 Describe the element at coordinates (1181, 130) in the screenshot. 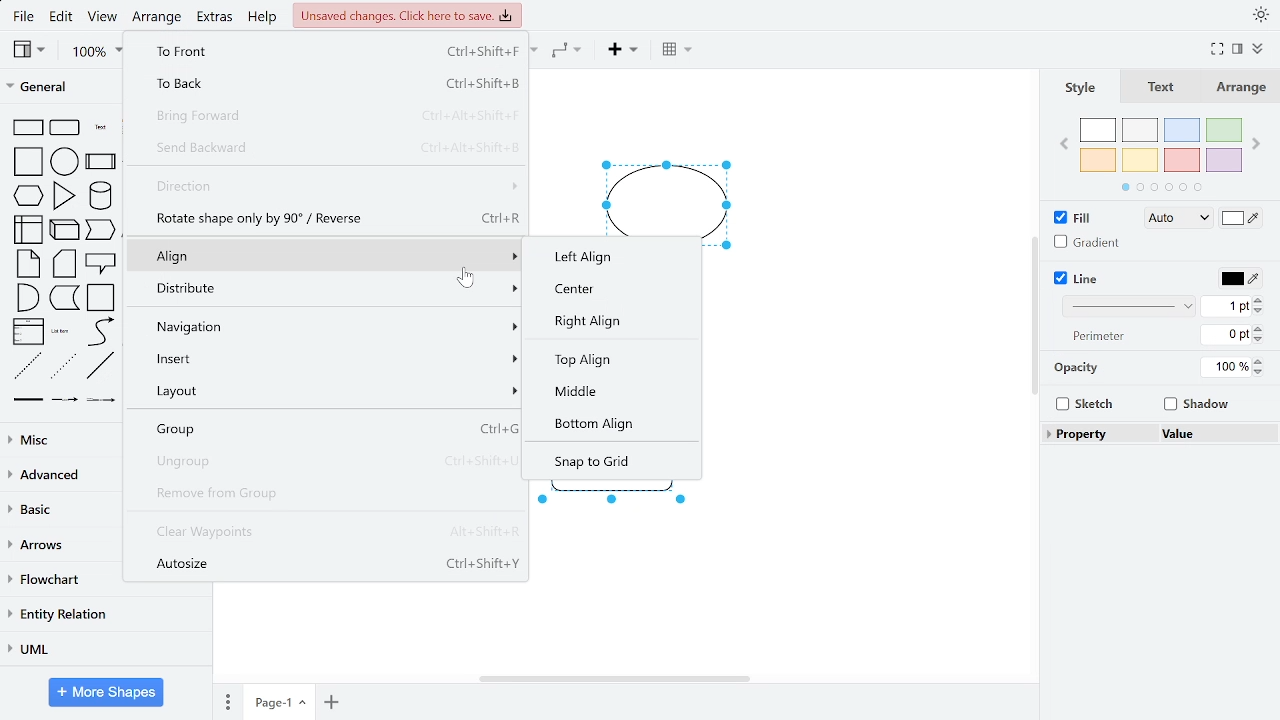

I see `blue` at that location.